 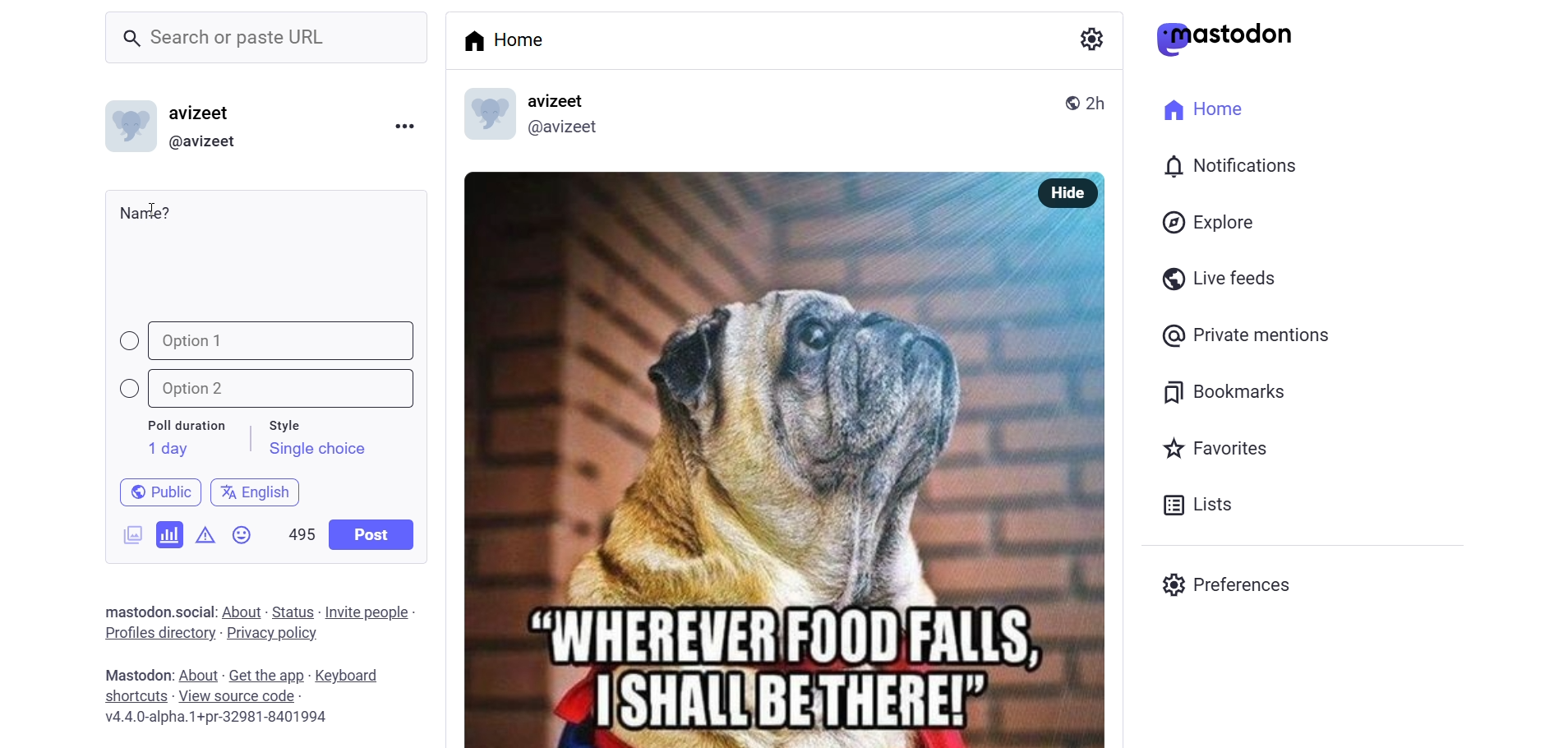 I want to click on content warning, so click(x=205, y=532).